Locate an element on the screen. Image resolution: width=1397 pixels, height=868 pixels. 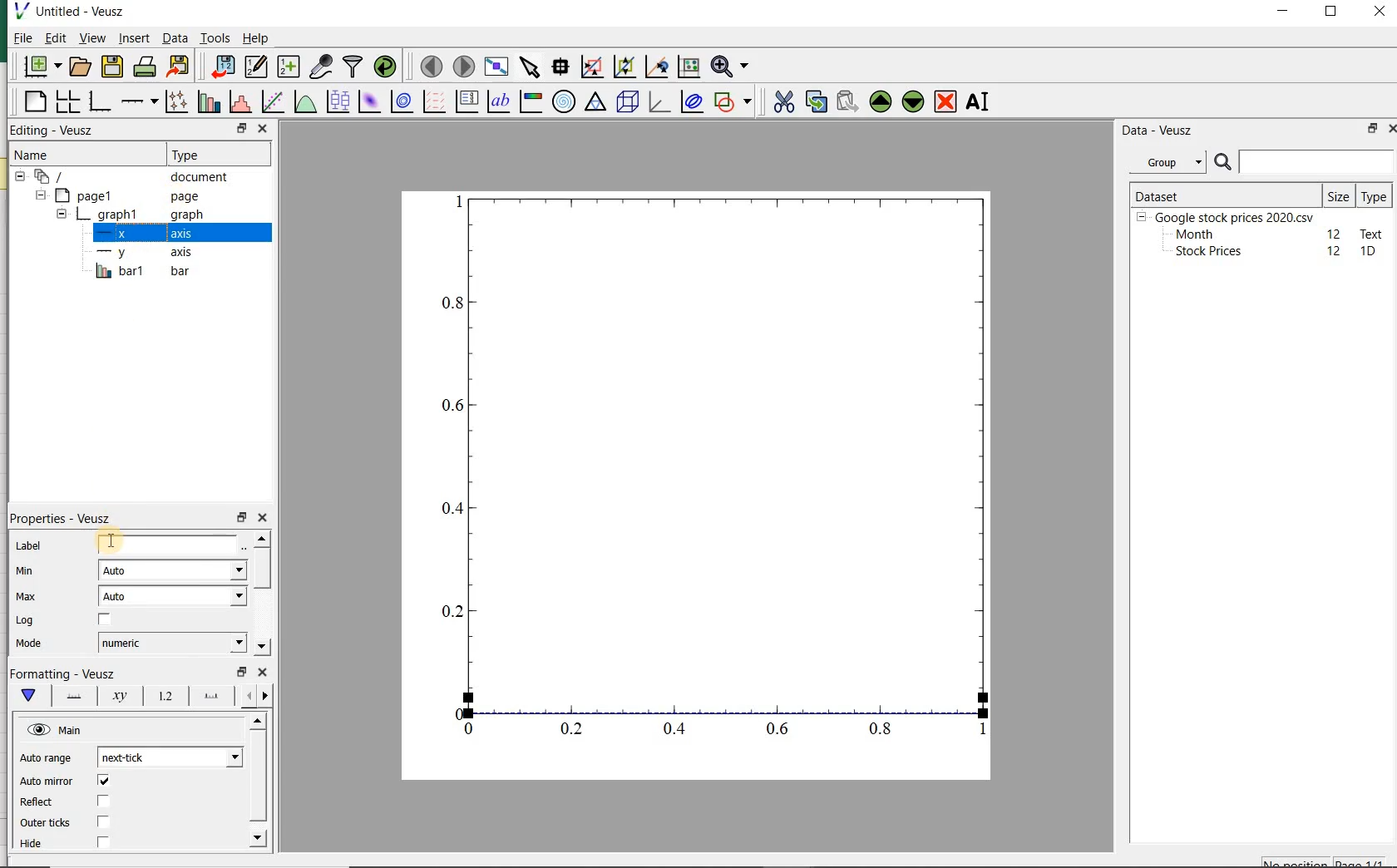
create new datasets is located at coordinates (289, 67).